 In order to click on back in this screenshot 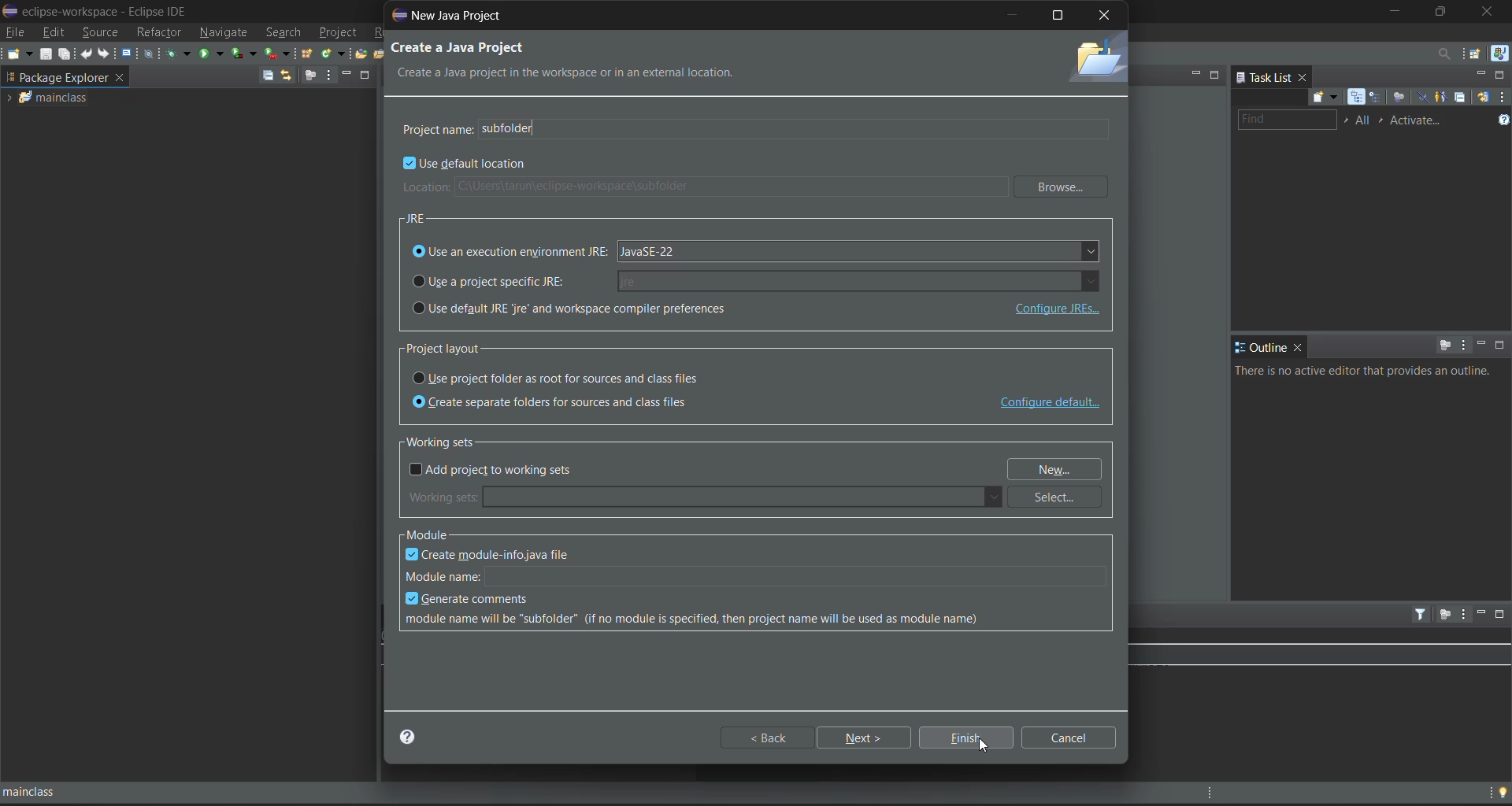, I will do `click(769, 737)`.